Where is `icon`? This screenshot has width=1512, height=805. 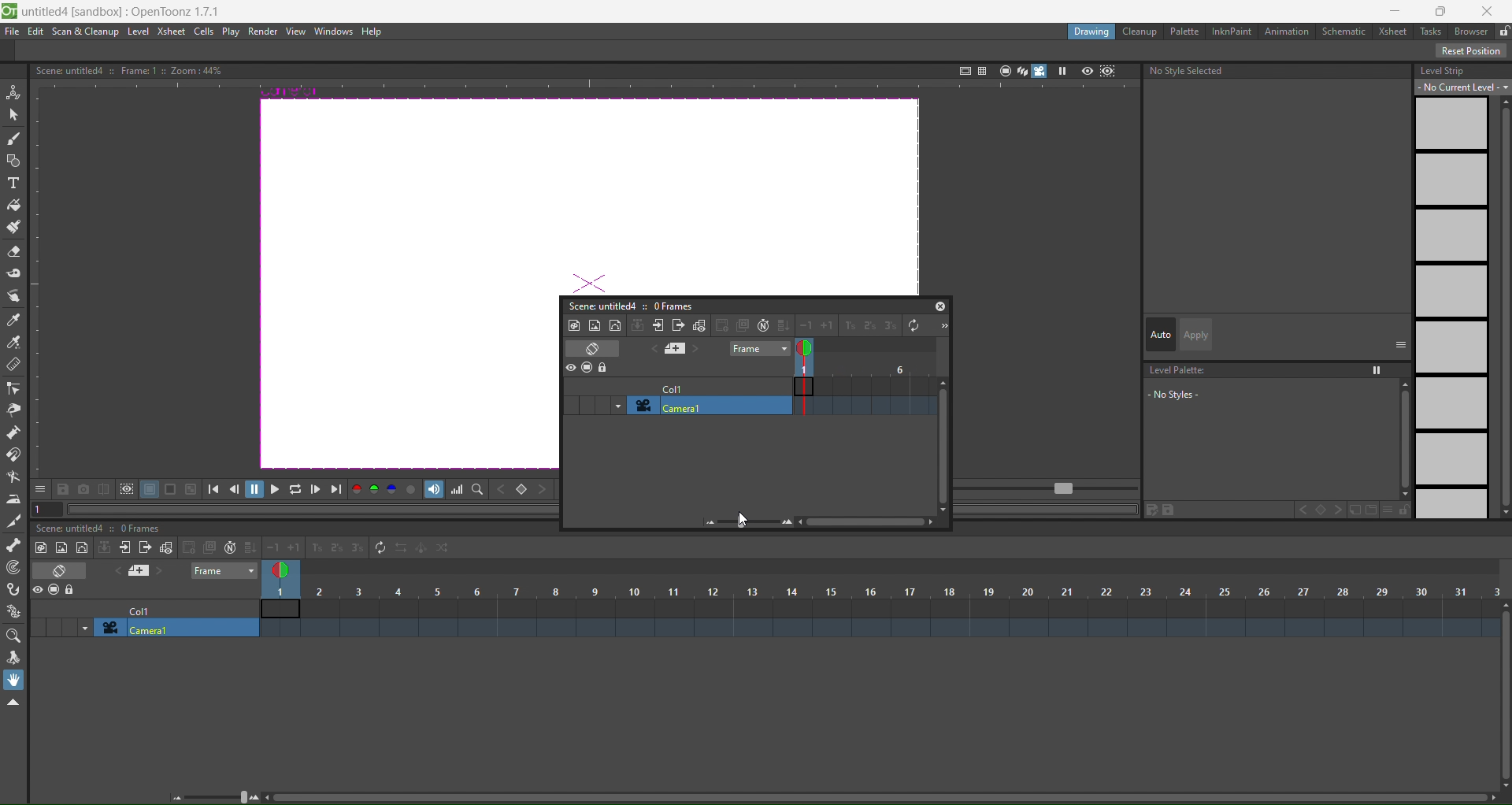
icon is located at coordinates (55, 591).